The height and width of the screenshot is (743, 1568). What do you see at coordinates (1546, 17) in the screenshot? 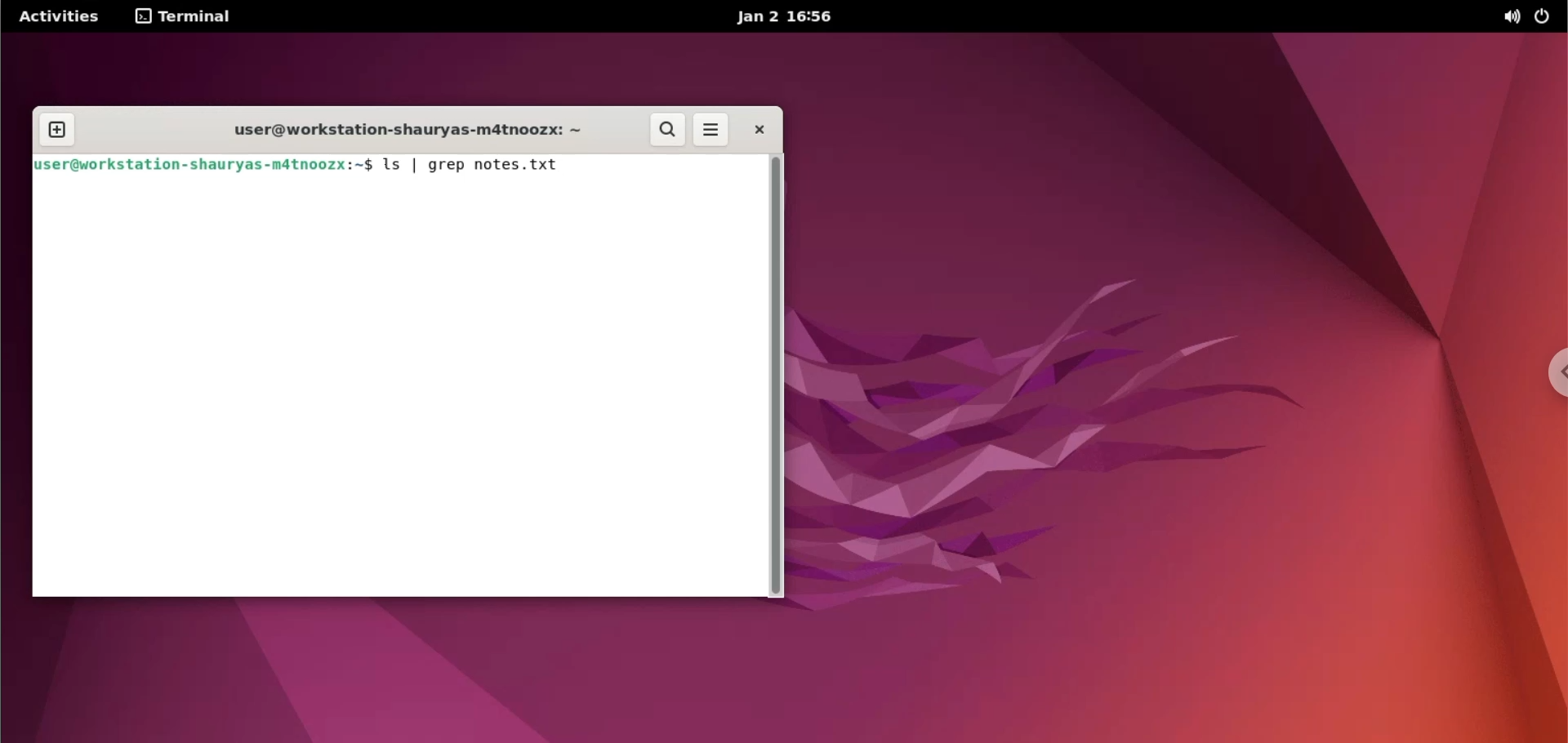
I see `power options` at bounding box center [1546, 17].